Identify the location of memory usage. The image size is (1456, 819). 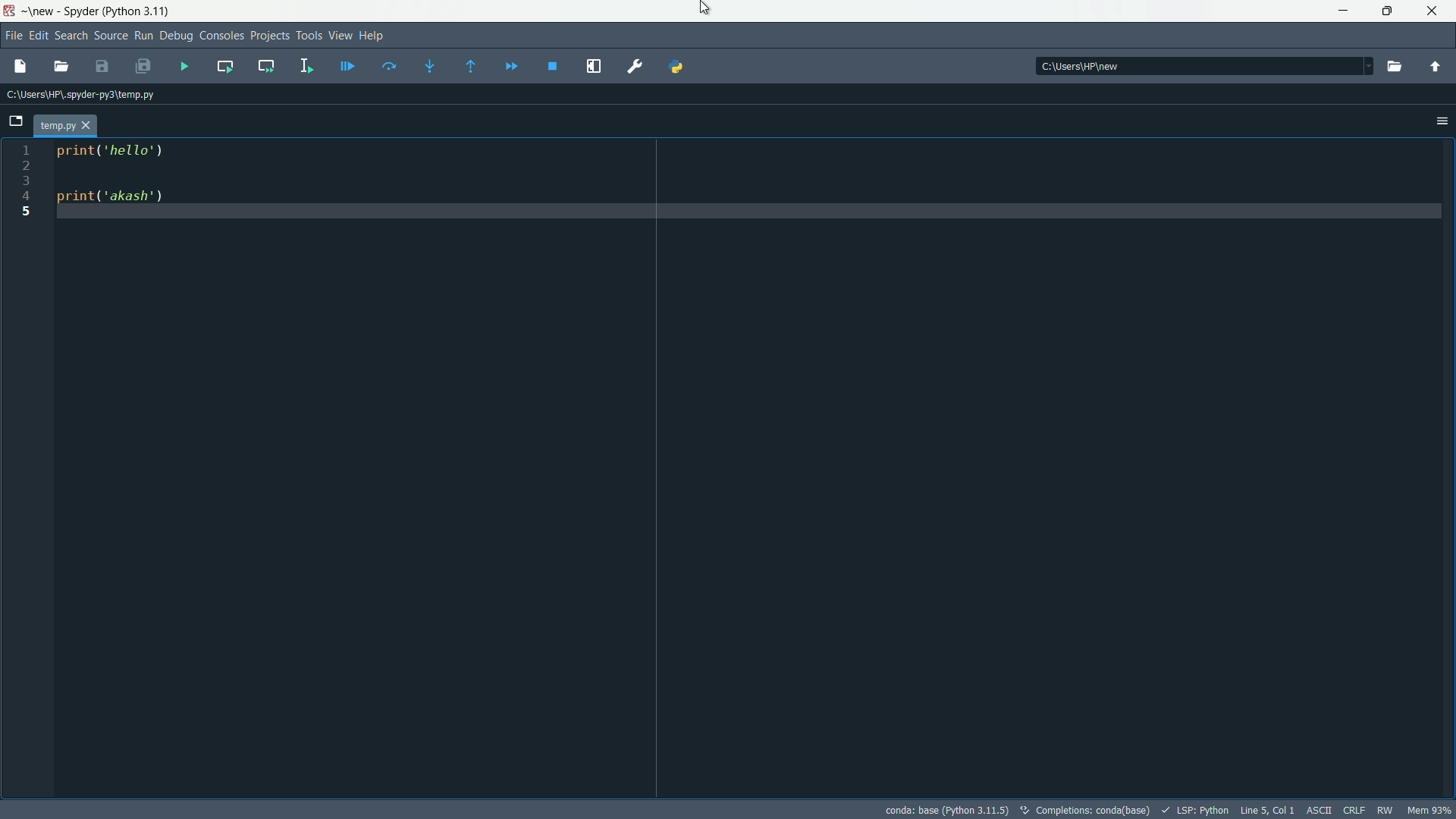
(1430, 811).